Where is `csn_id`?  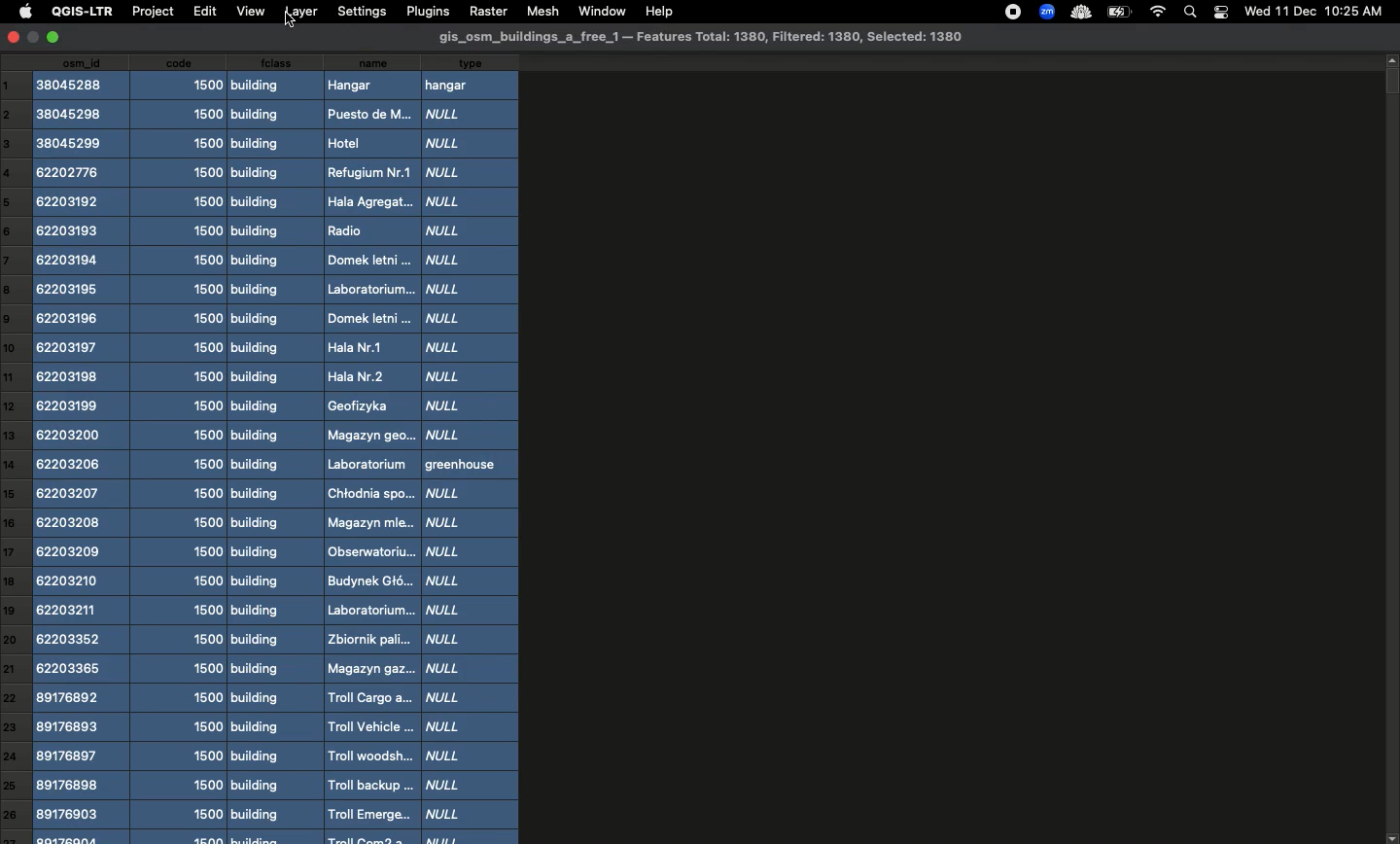
csn_id is located at coordinates (82, 450).